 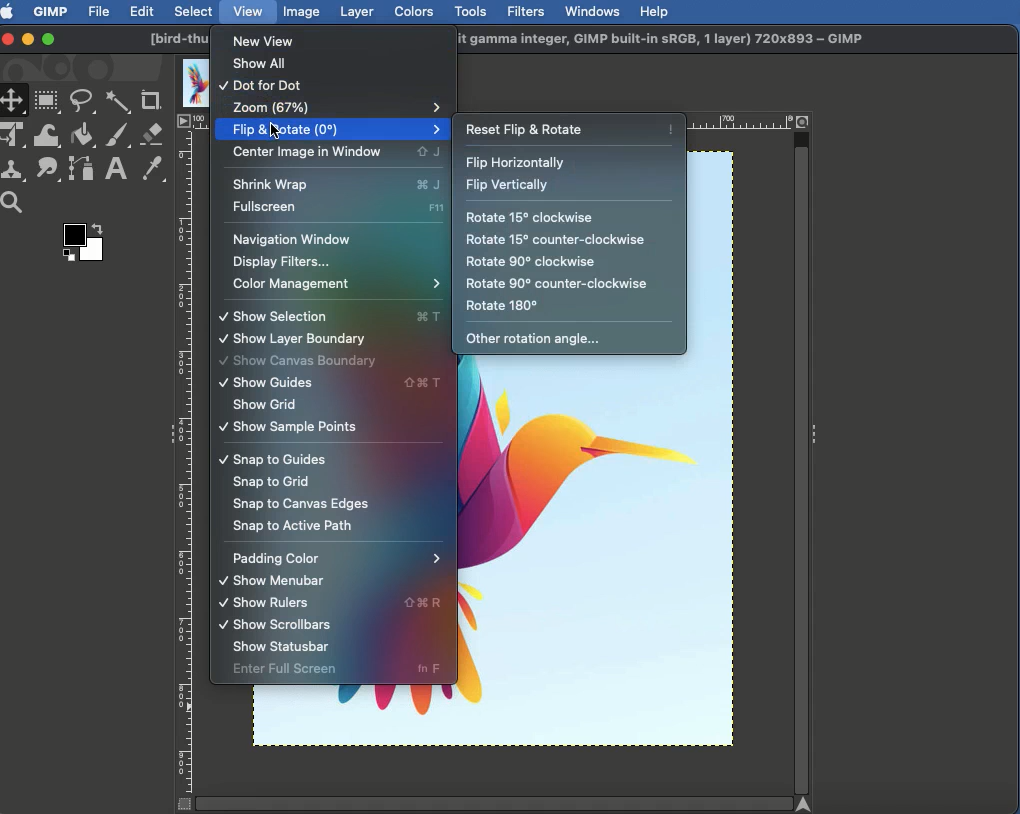 I want to click on caps lock+command+T, so click(x=426, y=383).